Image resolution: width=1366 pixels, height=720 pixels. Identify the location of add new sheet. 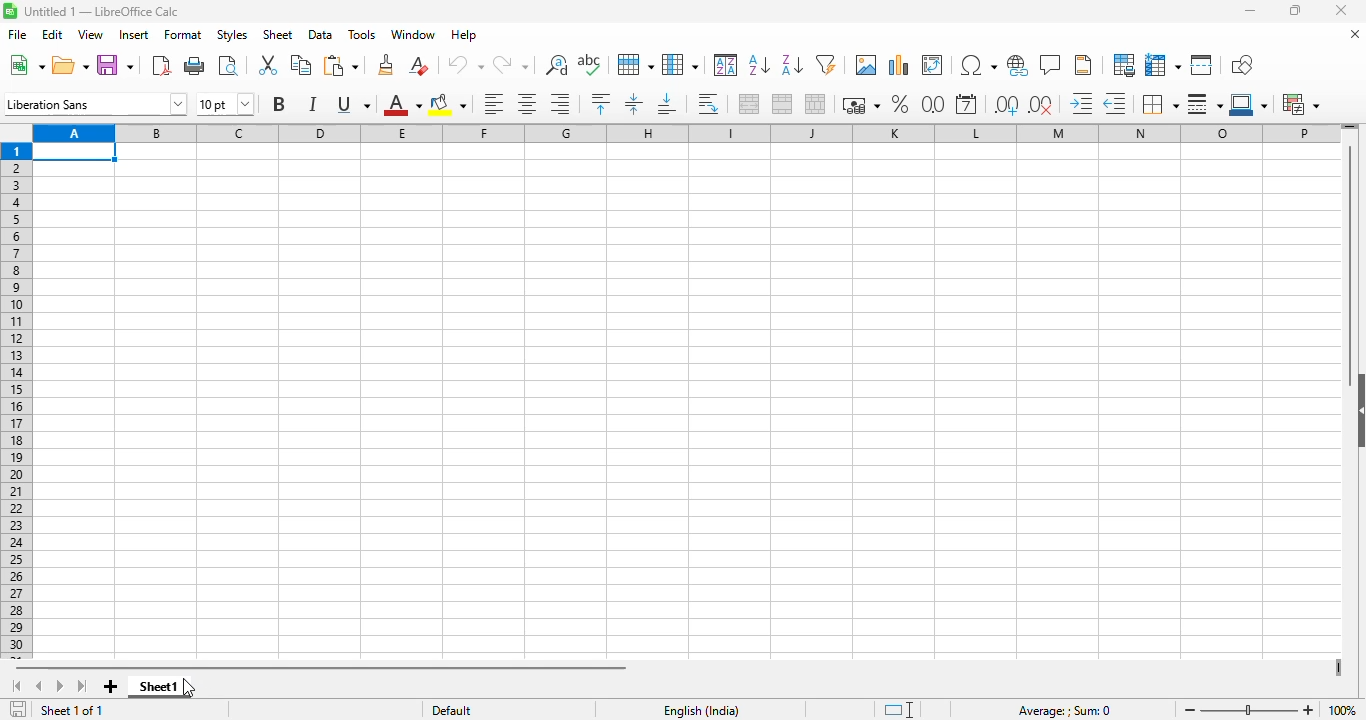
(111, 687).